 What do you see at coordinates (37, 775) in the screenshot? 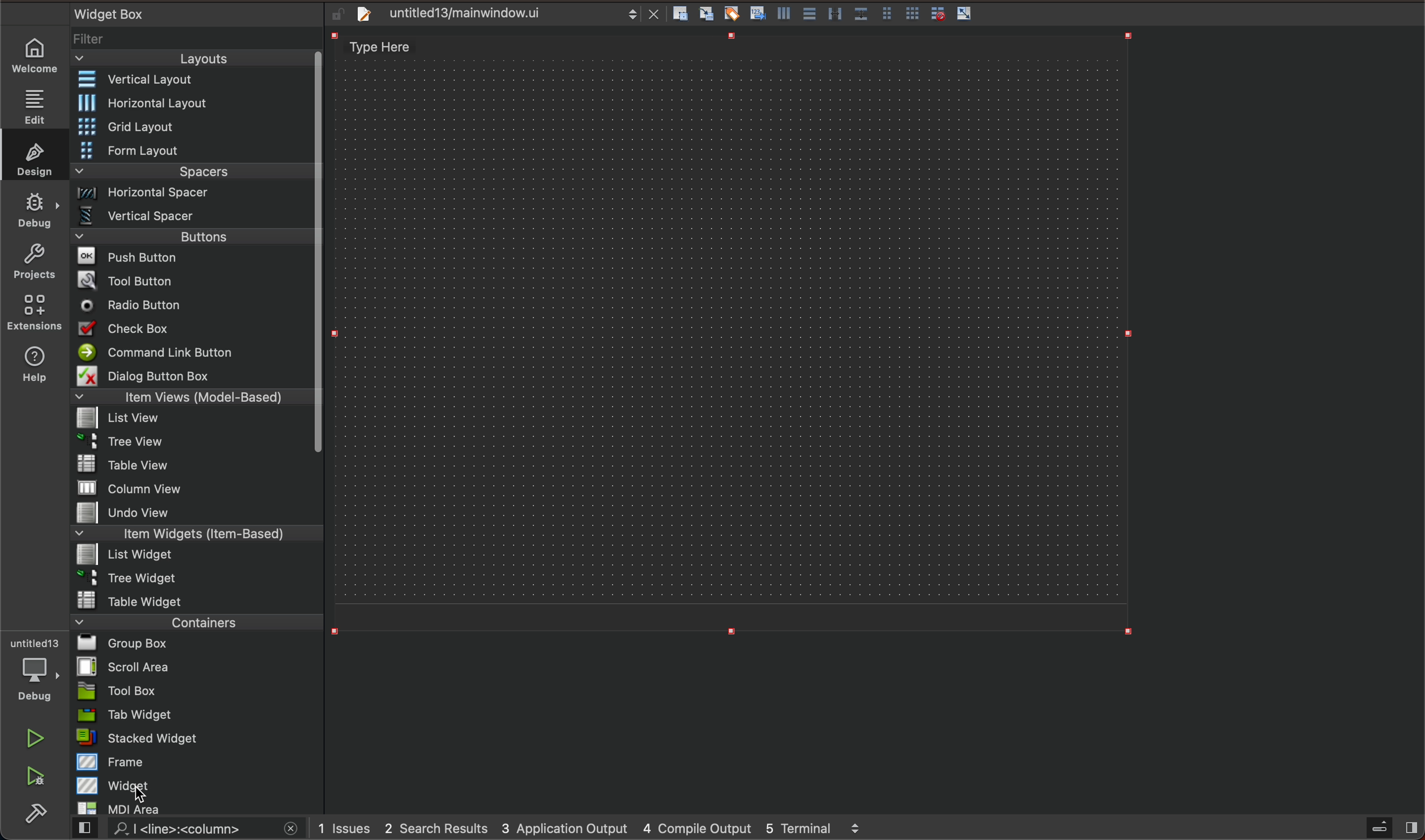
I see `debug and run` at bounding box center [37, 775].